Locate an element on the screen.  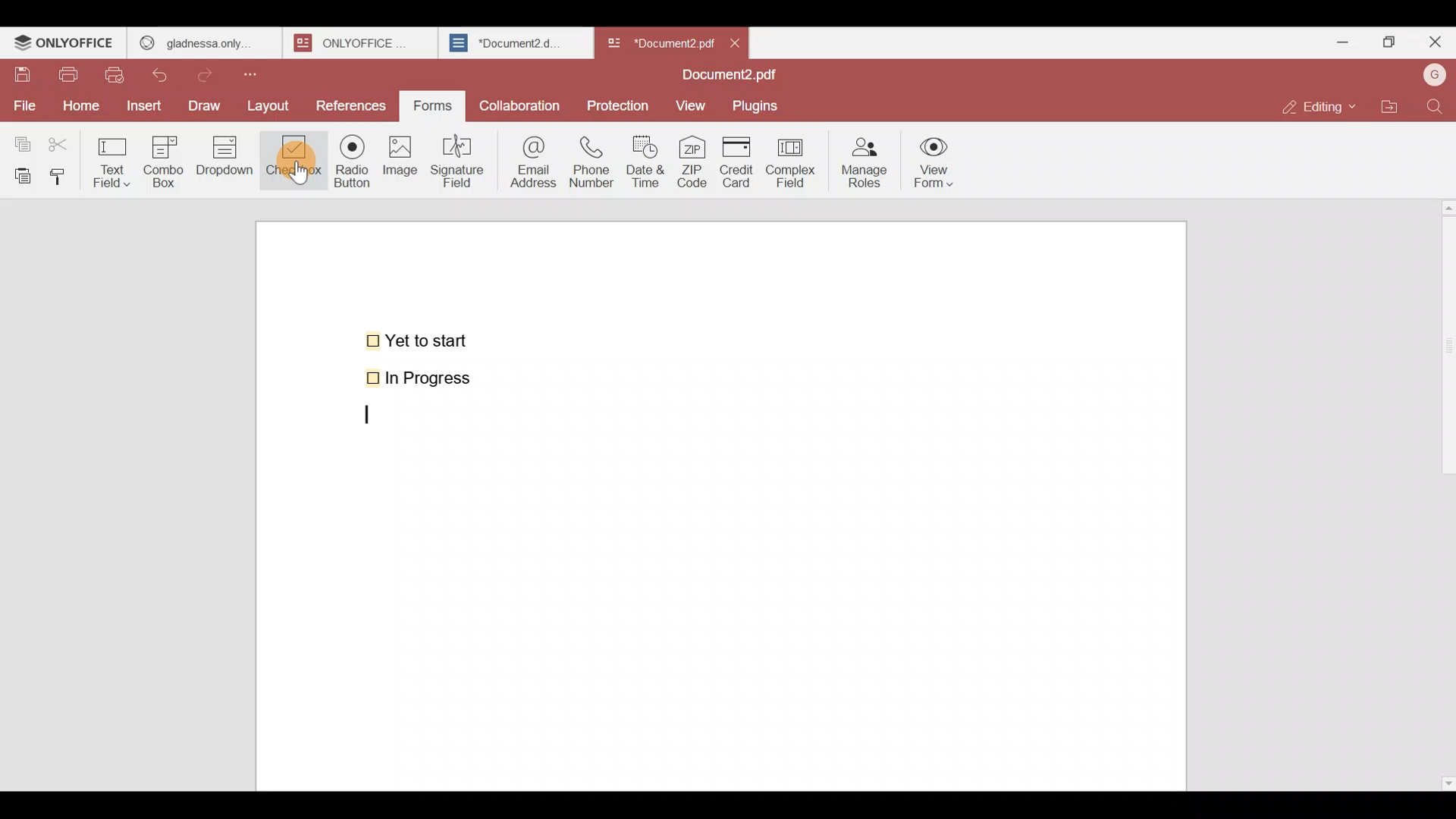
Signature field is located at coordinates (462, 159).